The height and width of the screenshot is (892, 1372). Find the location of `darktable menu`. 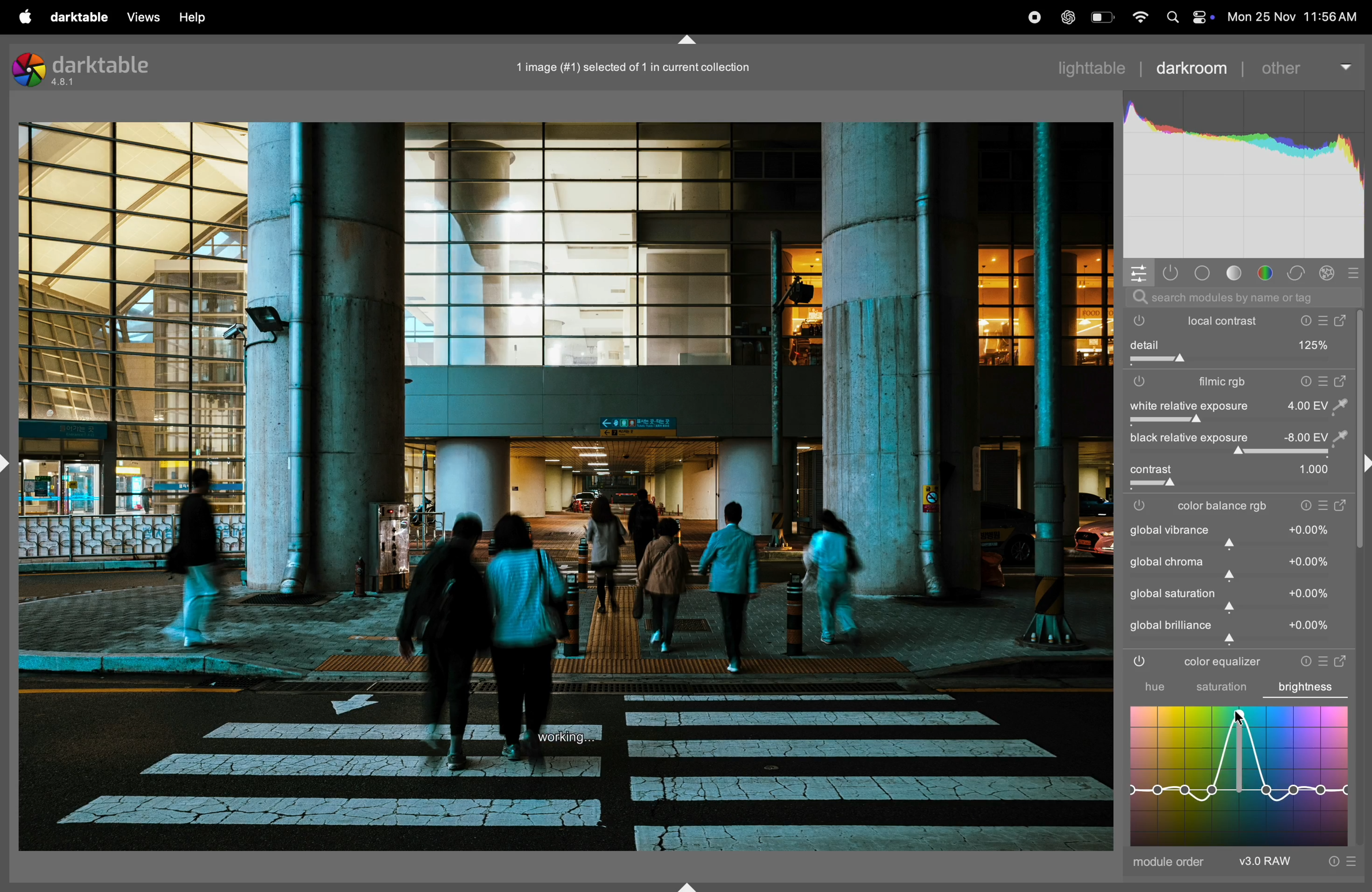

darktable menu is located at coordinates (81, 16).